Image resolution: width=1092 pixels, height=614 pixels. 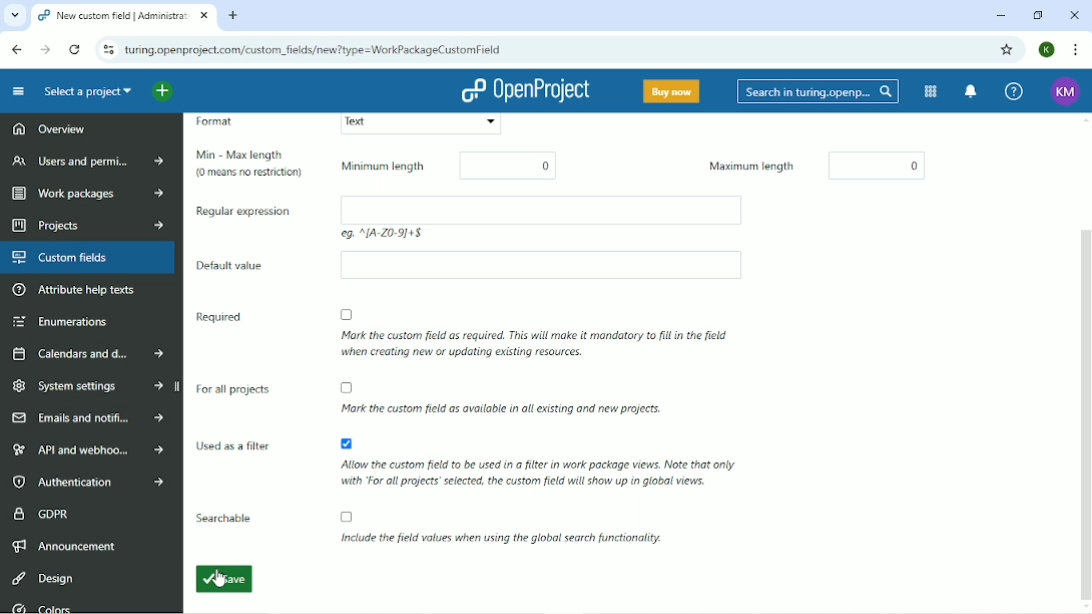 I want to click on Search tabs, so click(x=14, y=16).